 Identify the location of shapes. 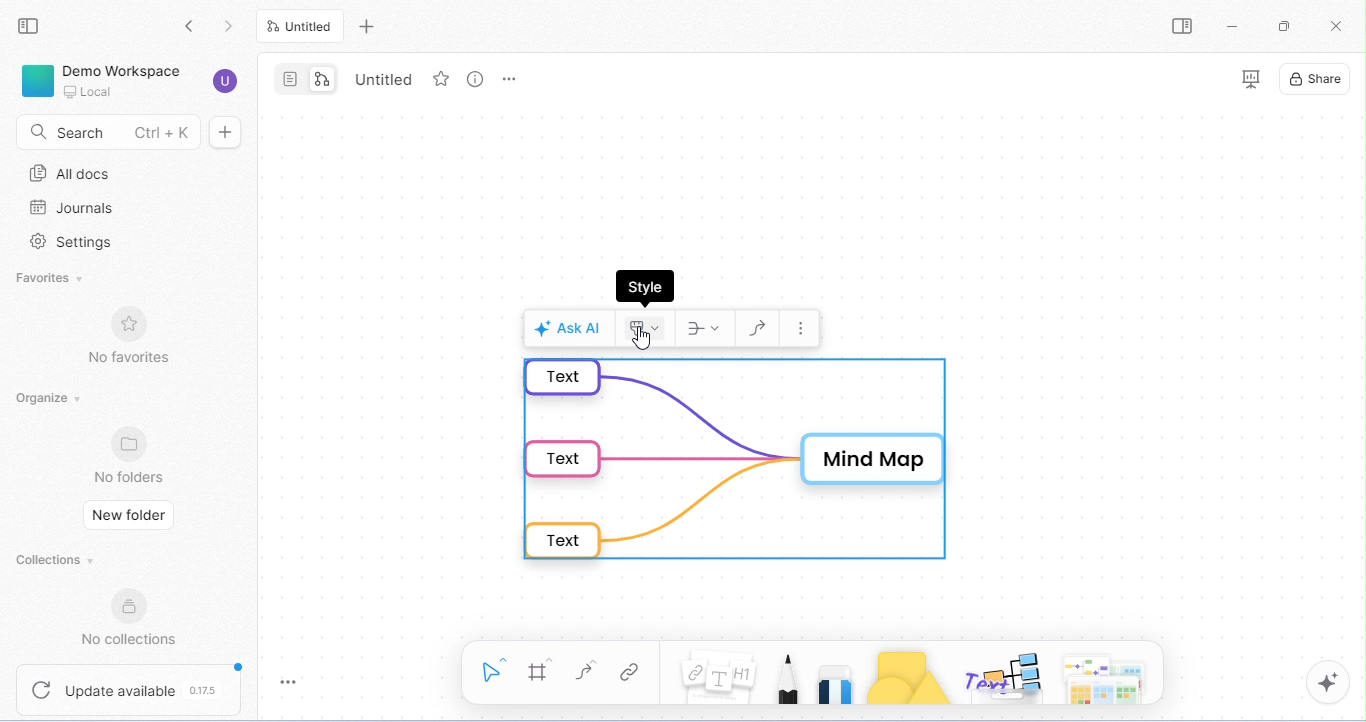
(909, 680).